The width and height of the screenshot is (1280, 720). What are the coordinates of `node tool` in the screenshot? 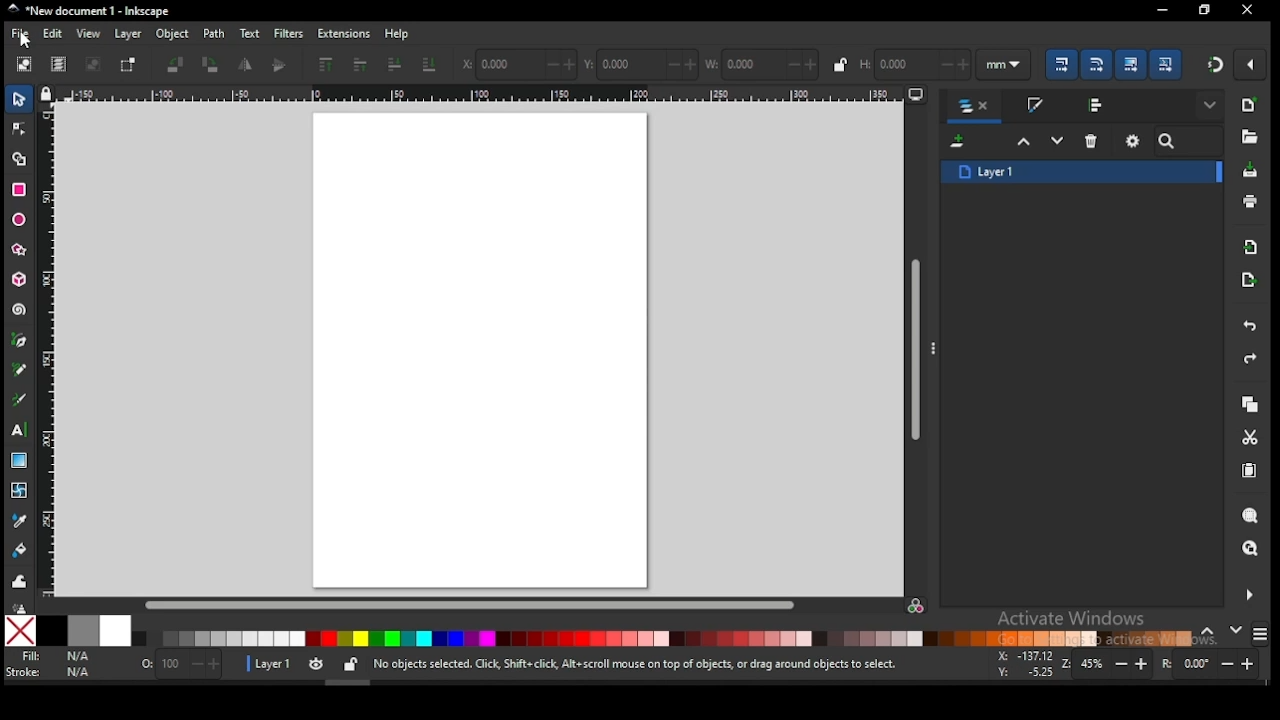 It's located at (20, 128).